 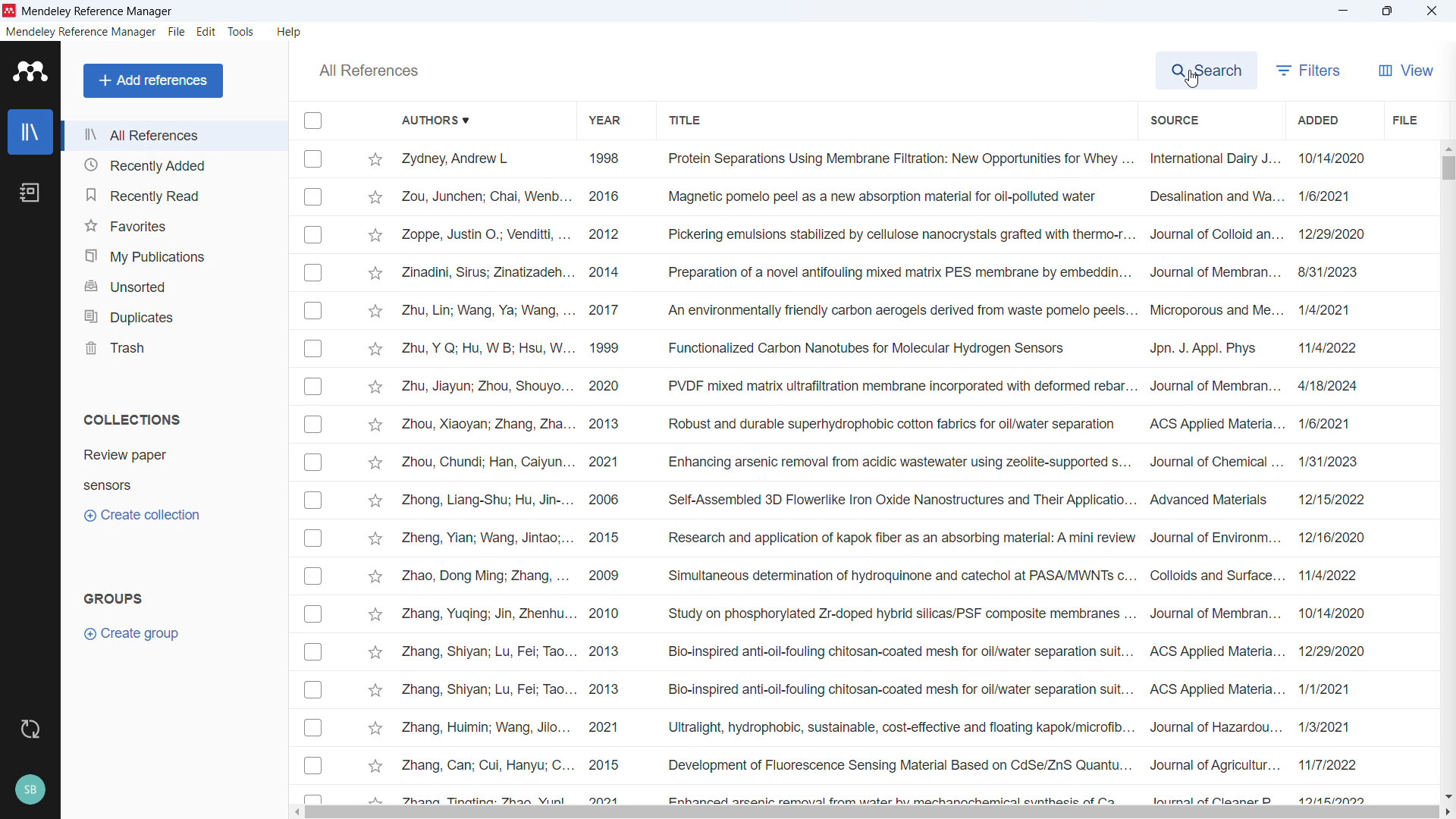 I want to click on Duplicates , so click(x=173, y=315).